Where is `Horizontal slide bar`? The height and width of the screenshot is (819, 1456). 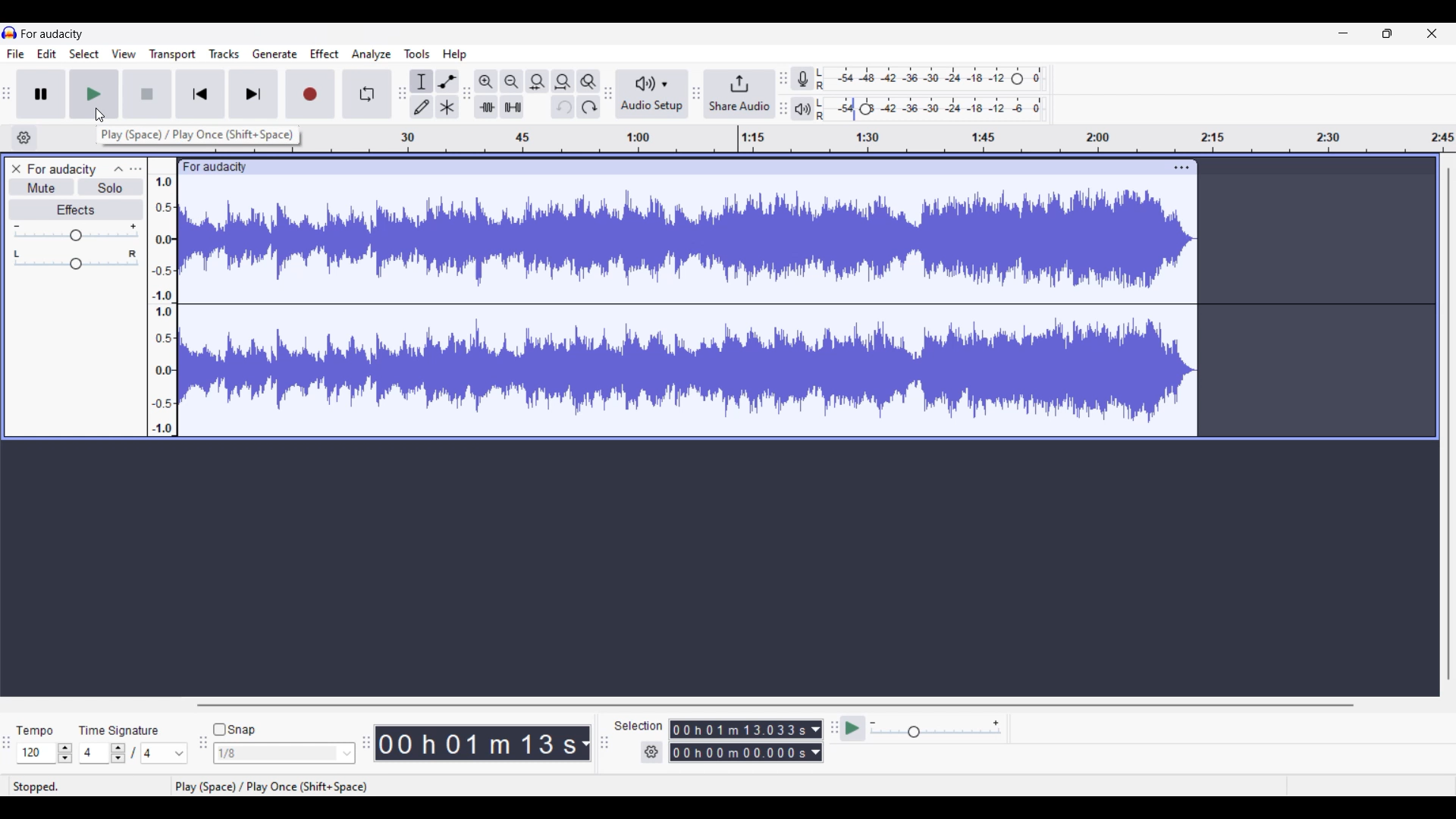
Horizontal slide bar is located at coordinates (774, 704).